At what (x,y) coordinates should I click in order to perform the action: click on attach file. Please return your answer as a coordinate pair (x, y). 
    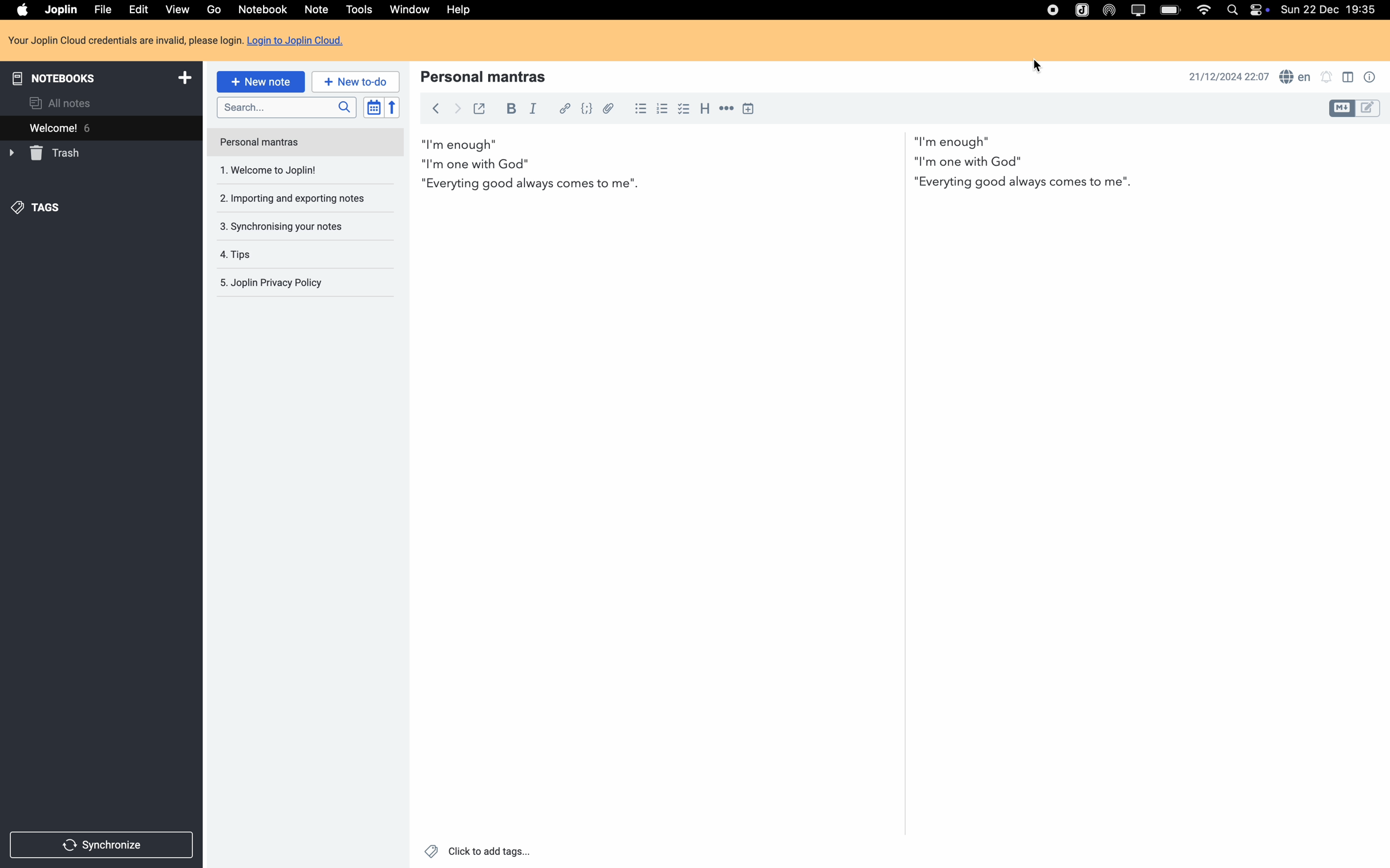
    Looking at the image, I should click on (607, 107).